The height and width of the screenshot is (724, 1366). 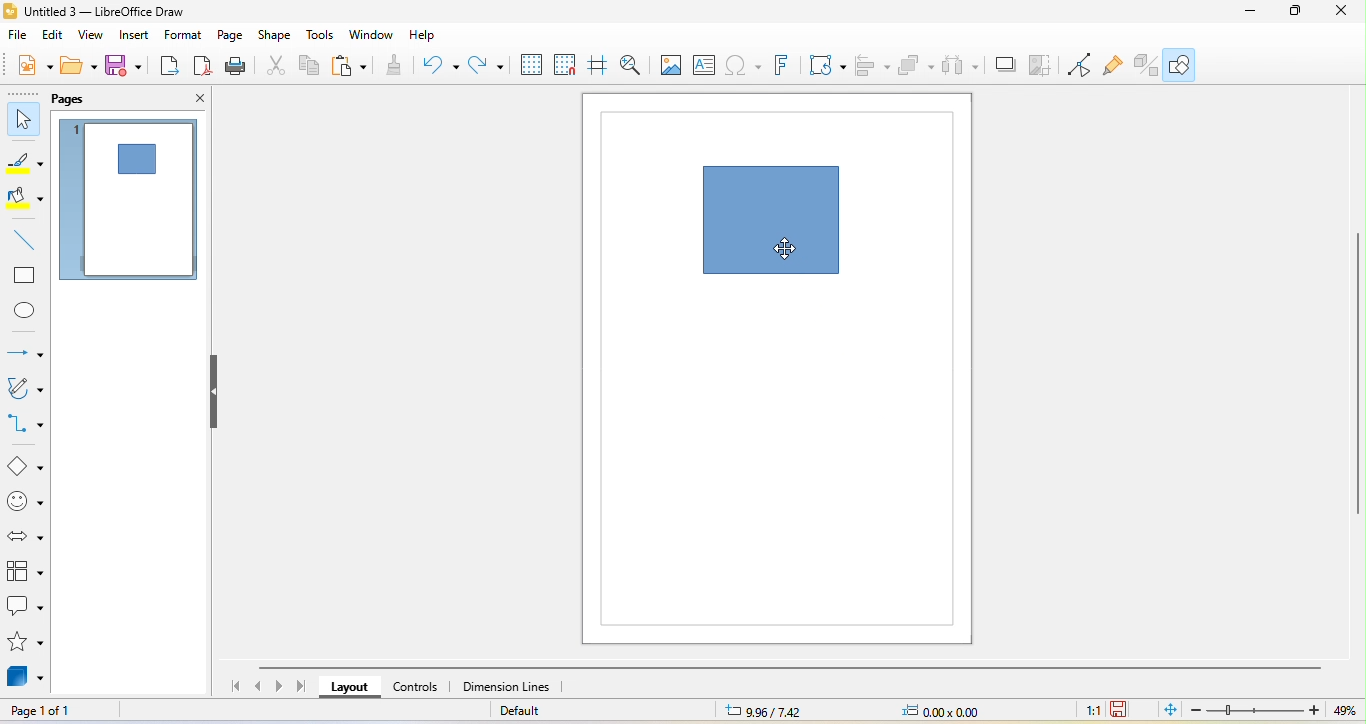 I want to click on default, so click(x=549, y=711).